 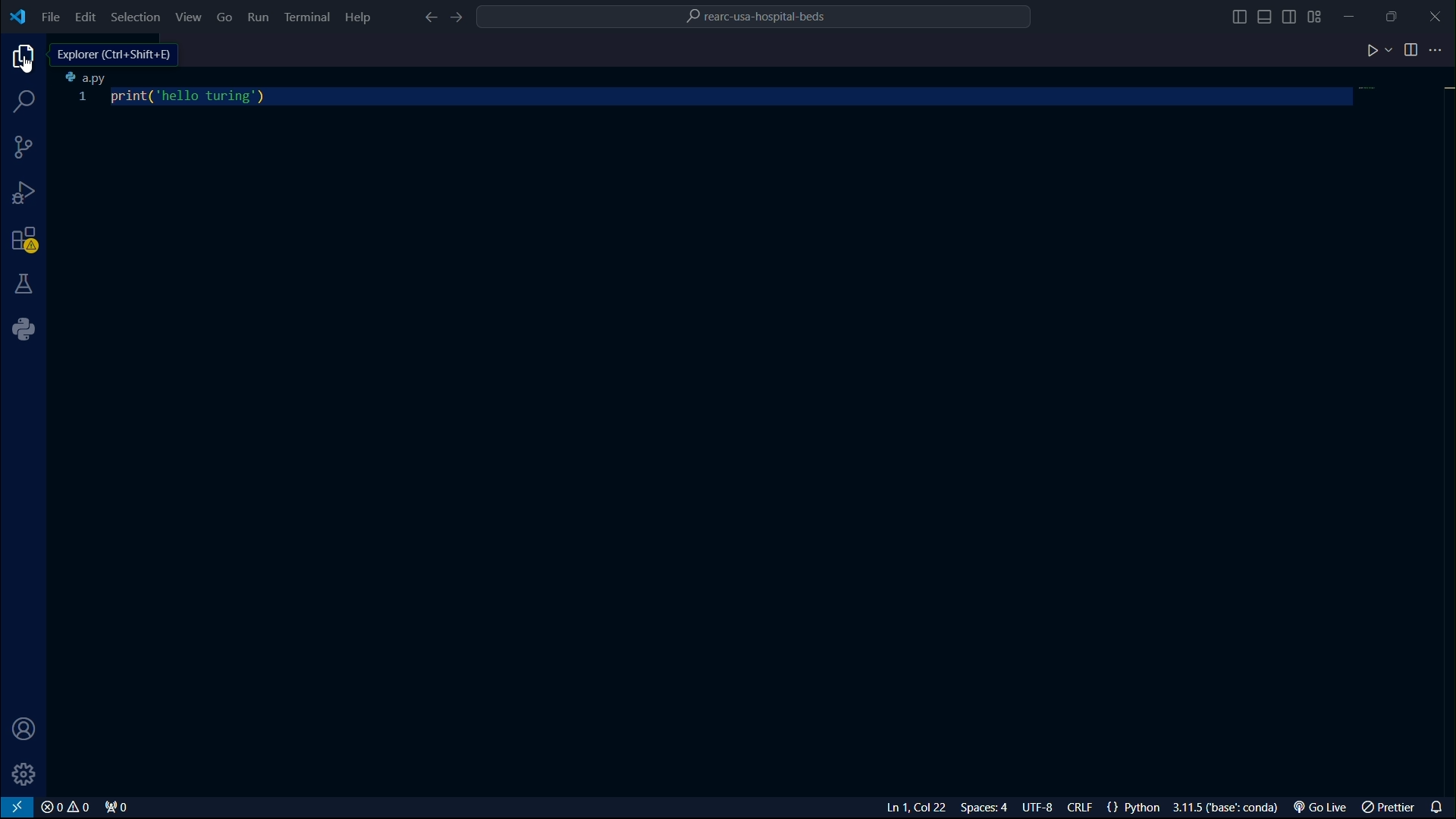 I want to click on edit menu, so click(x=84, y=16).